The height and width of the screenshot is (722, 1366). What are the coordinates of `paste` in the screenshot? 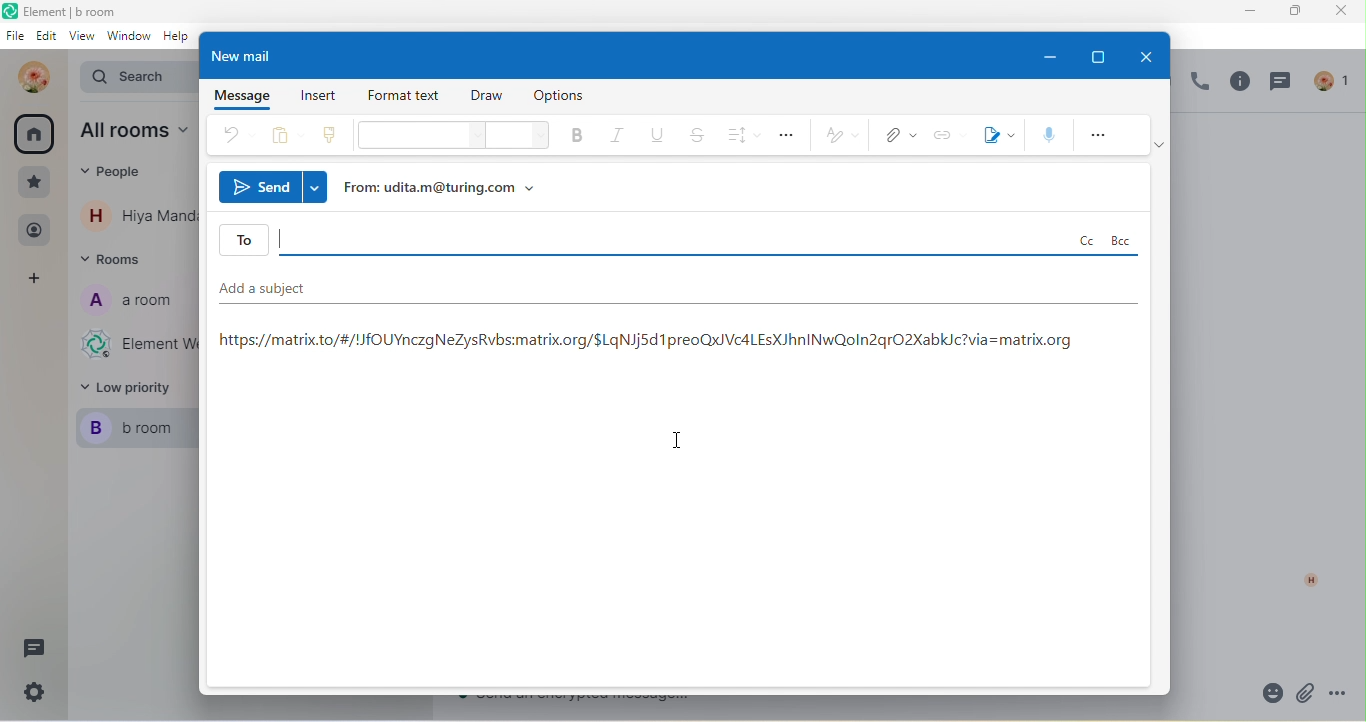 It's located at (282, 138).